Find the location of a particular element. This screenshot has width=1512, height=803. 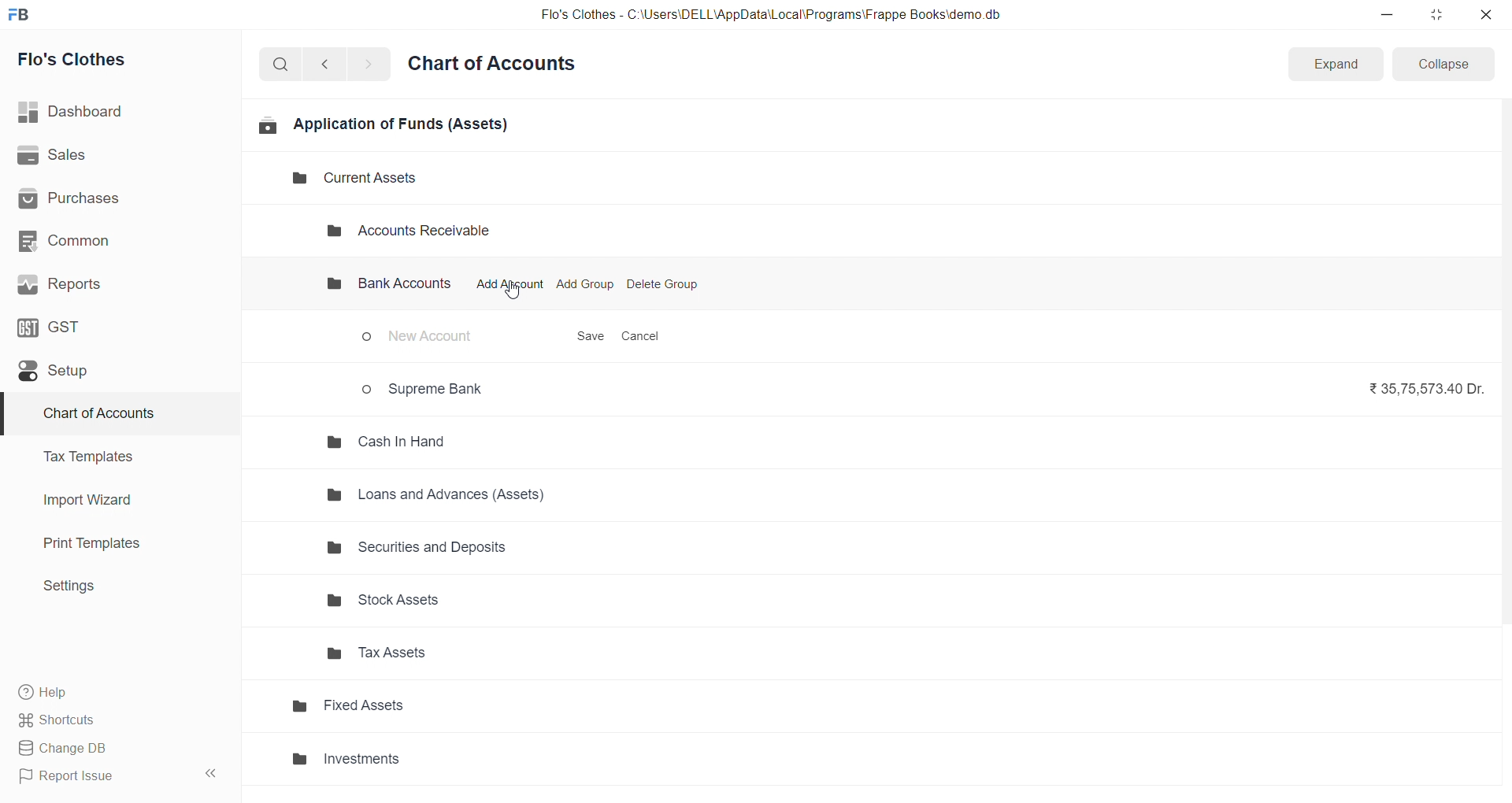

Report Issue is located at coordinates (98, 776).